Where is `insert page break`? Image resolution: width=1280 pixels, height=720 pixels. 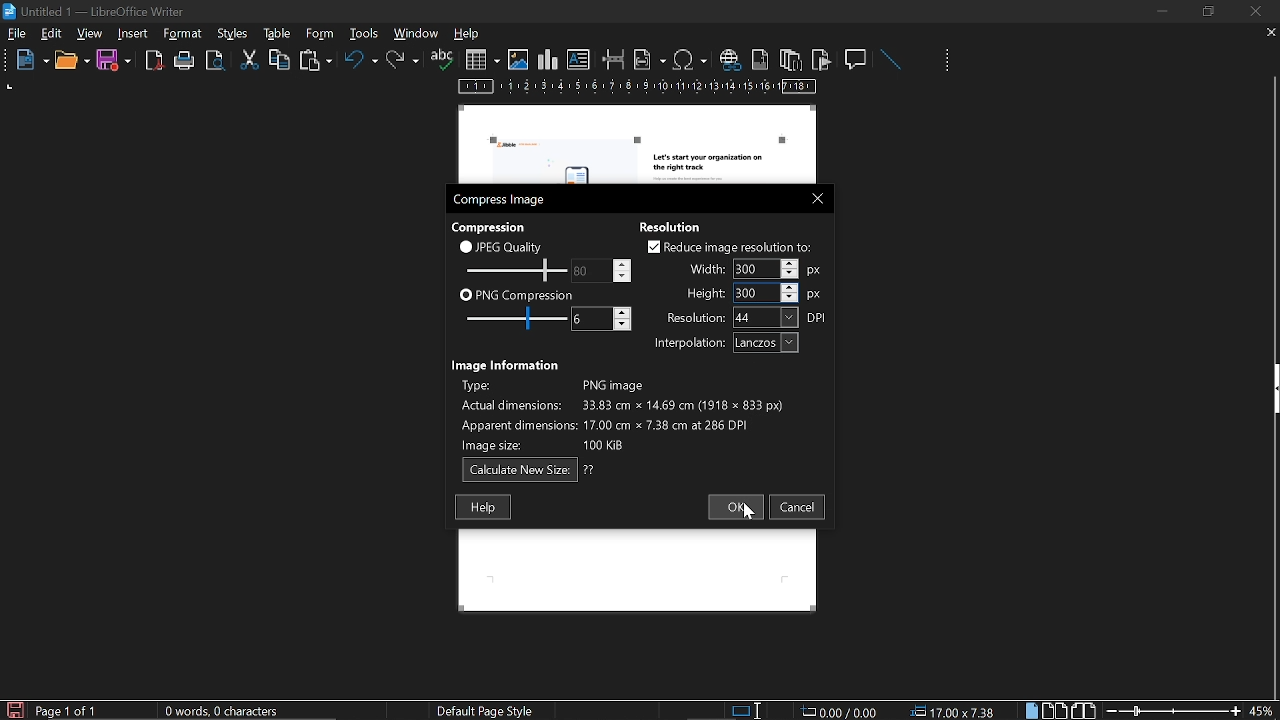 insert page break is located at coordinates (614, 60).